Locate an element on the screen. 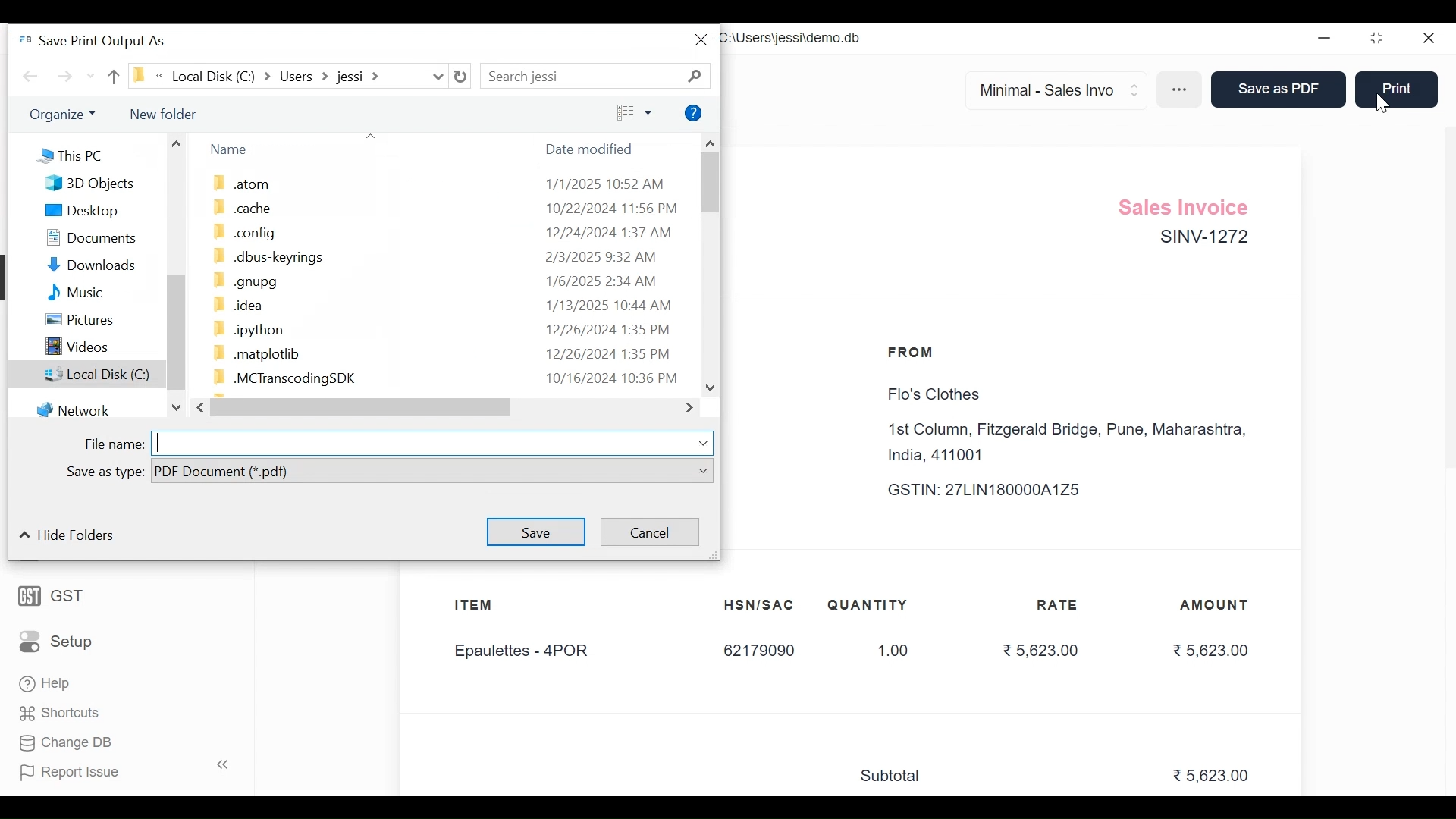 Image resolution: width=1456 pixels, height=819 pixels. 62179090 is located at coordinates (758, 651).